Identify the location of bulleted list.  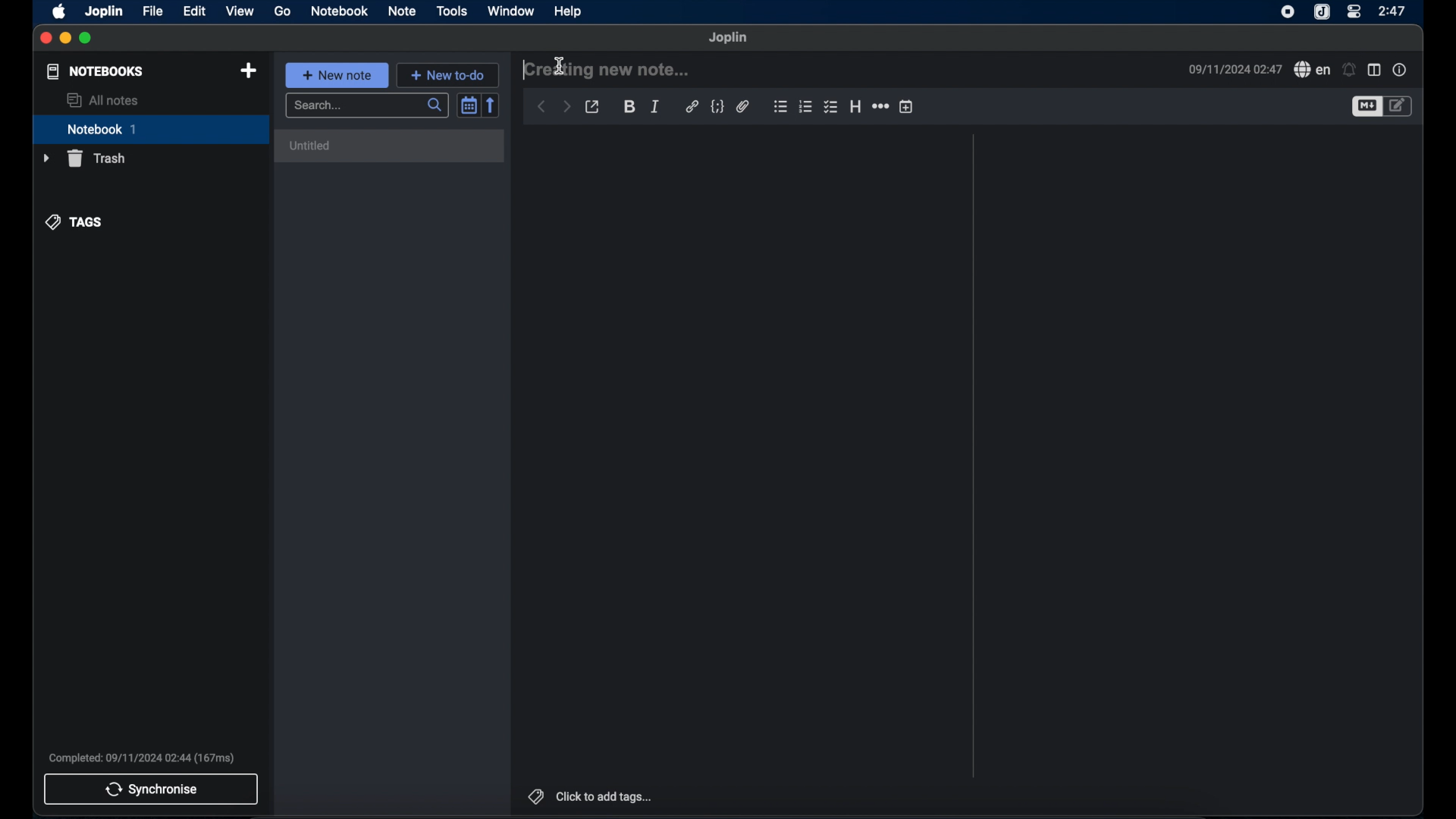
(780, 106).